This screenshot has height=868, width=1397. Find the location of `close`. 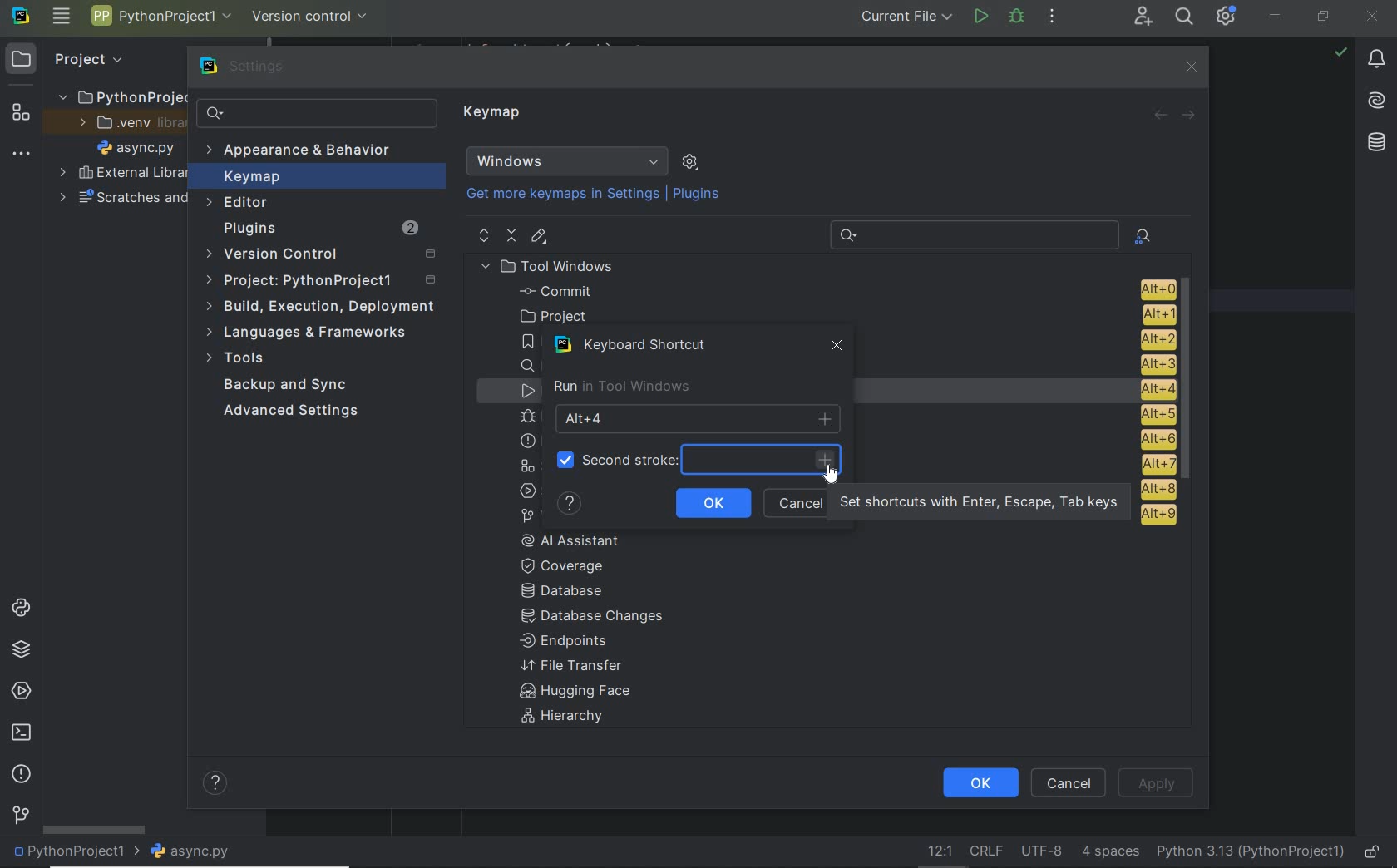

close is located at coordinates (838, 349).